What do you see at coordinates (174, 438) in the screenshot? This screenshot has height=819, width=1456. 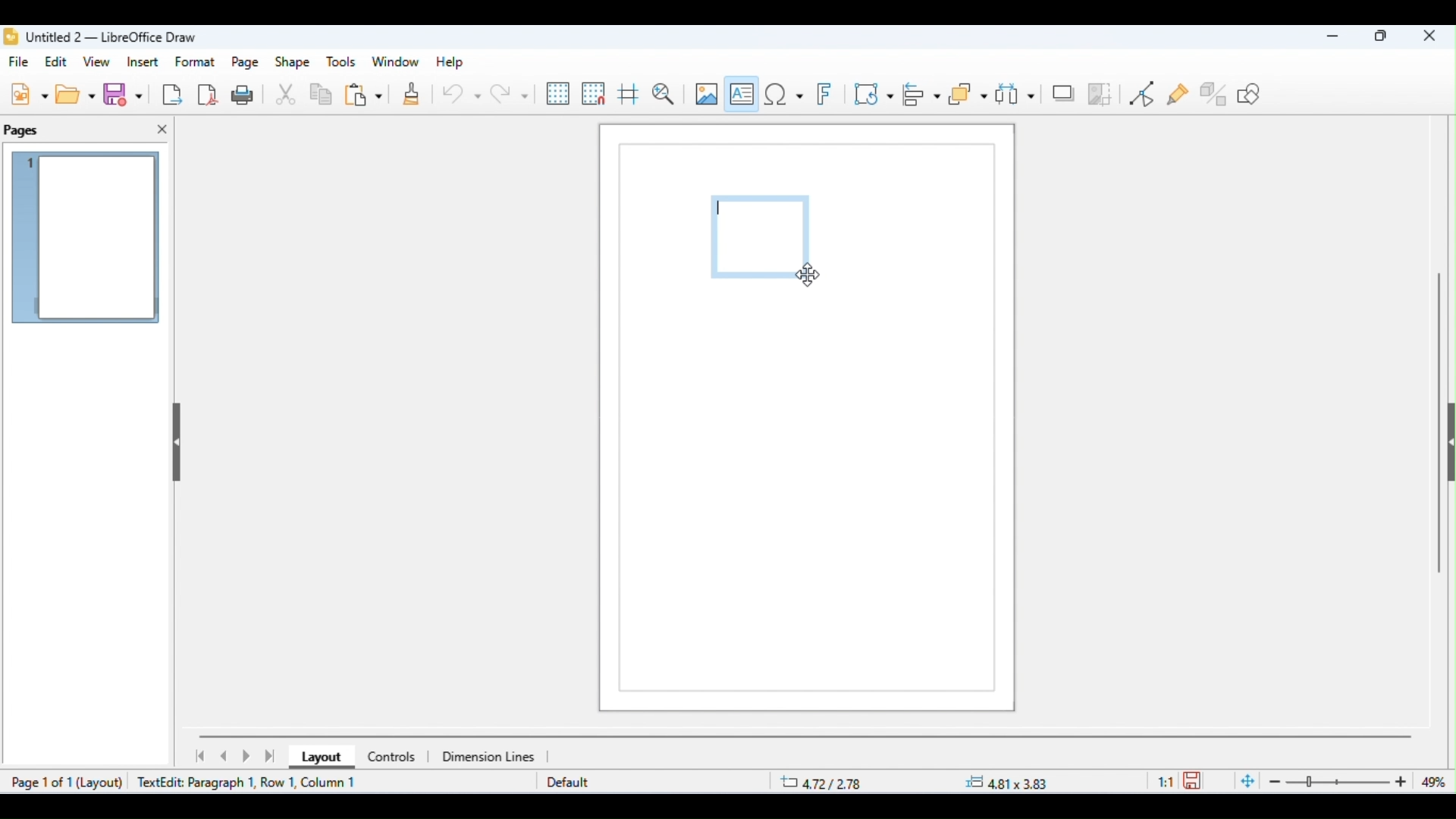 I see `hide` at bounding box center [174, 438].